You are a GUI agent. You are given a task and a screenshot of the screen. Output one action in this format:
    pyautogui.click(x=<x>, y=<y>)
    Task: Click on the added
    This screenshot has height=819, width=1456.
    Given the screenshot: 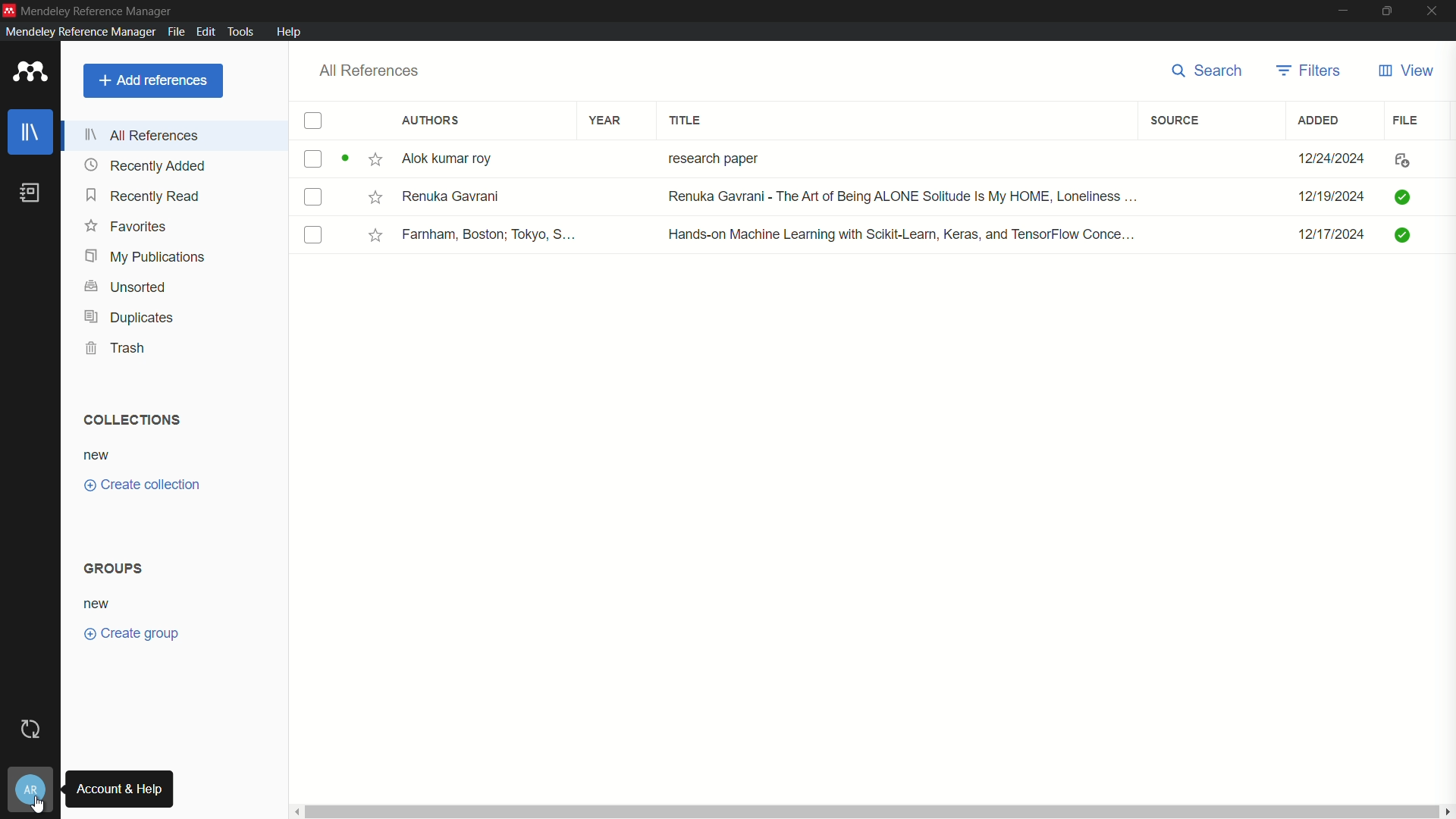 What is the action you would take?
    pyautogui.click(x=1316, y=120)
    